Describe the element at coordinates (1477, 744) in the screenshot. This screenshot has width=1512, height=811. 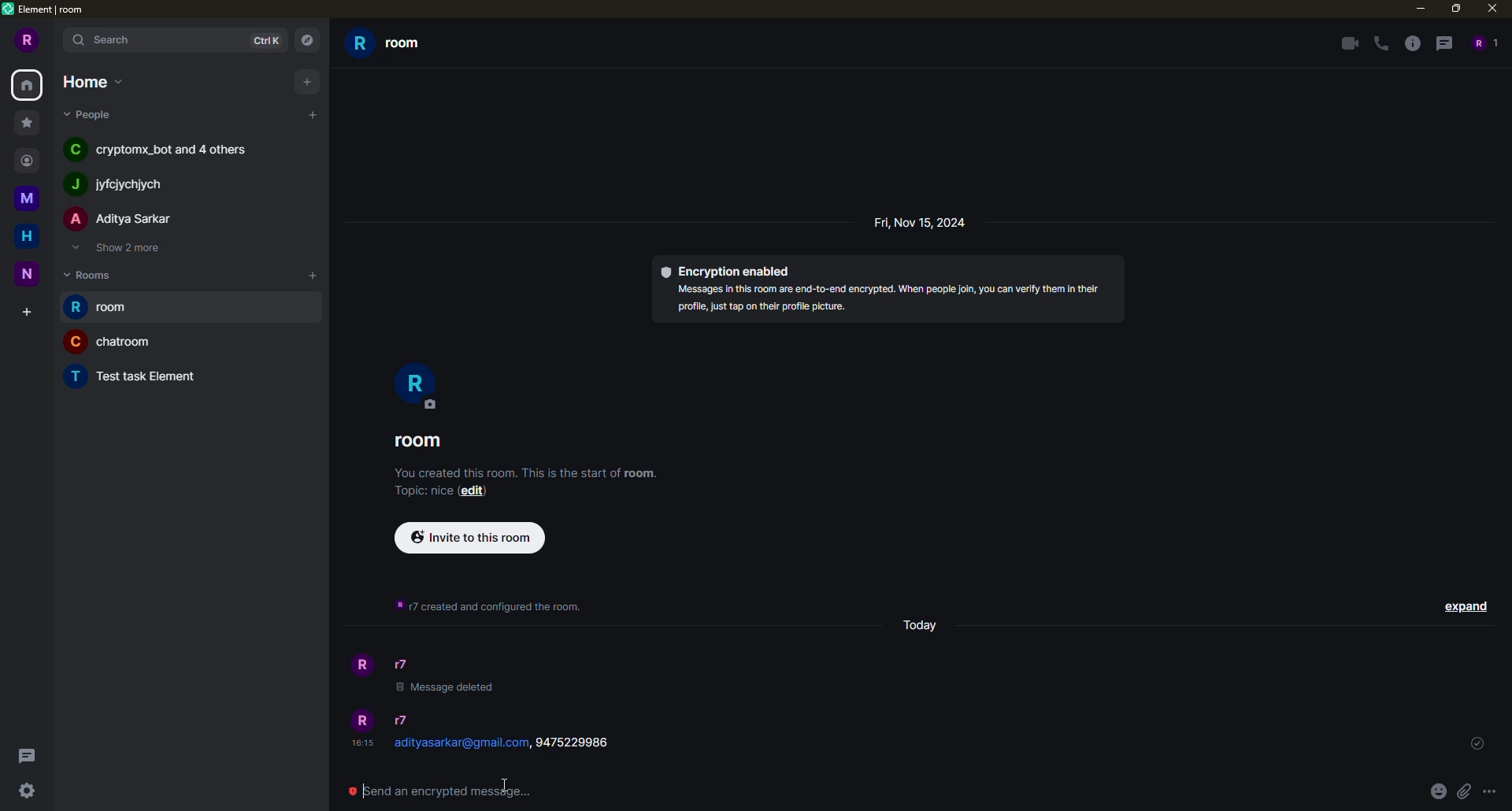
I see `sent` at that location.